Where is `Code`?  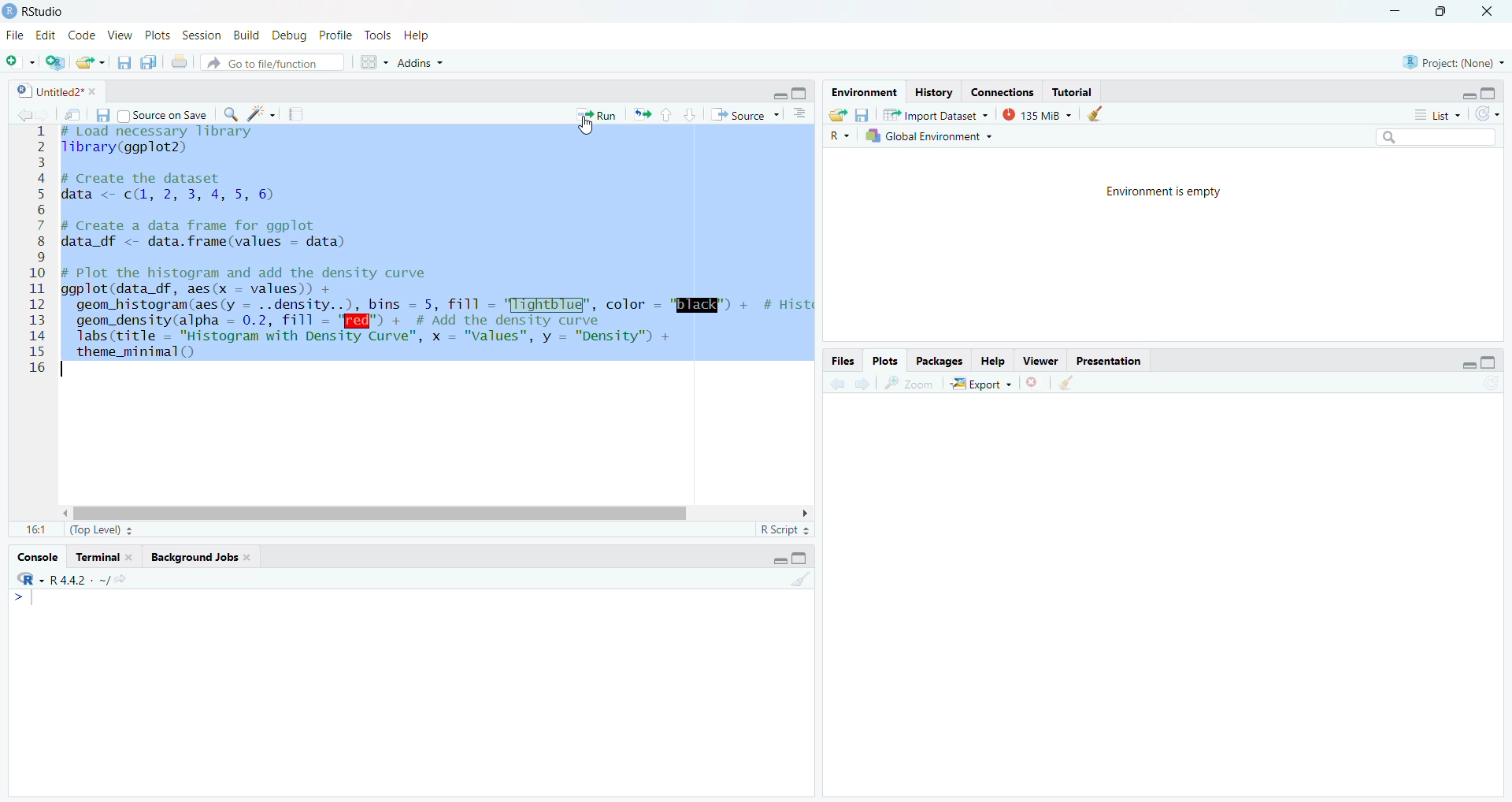 Code is located at coordinates (80, 33).